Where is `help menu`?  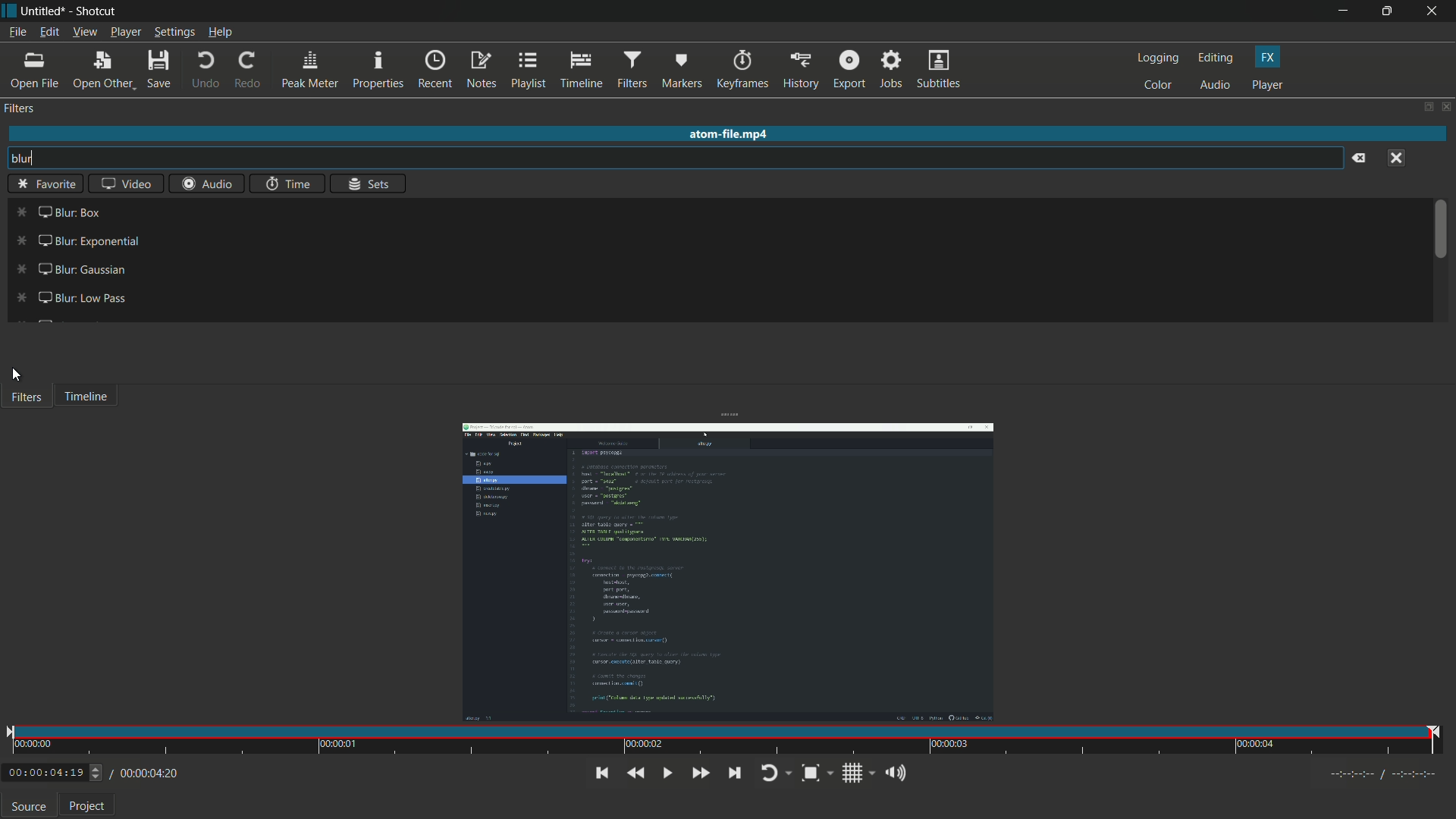
help menu is located at coordinates (222, 33).